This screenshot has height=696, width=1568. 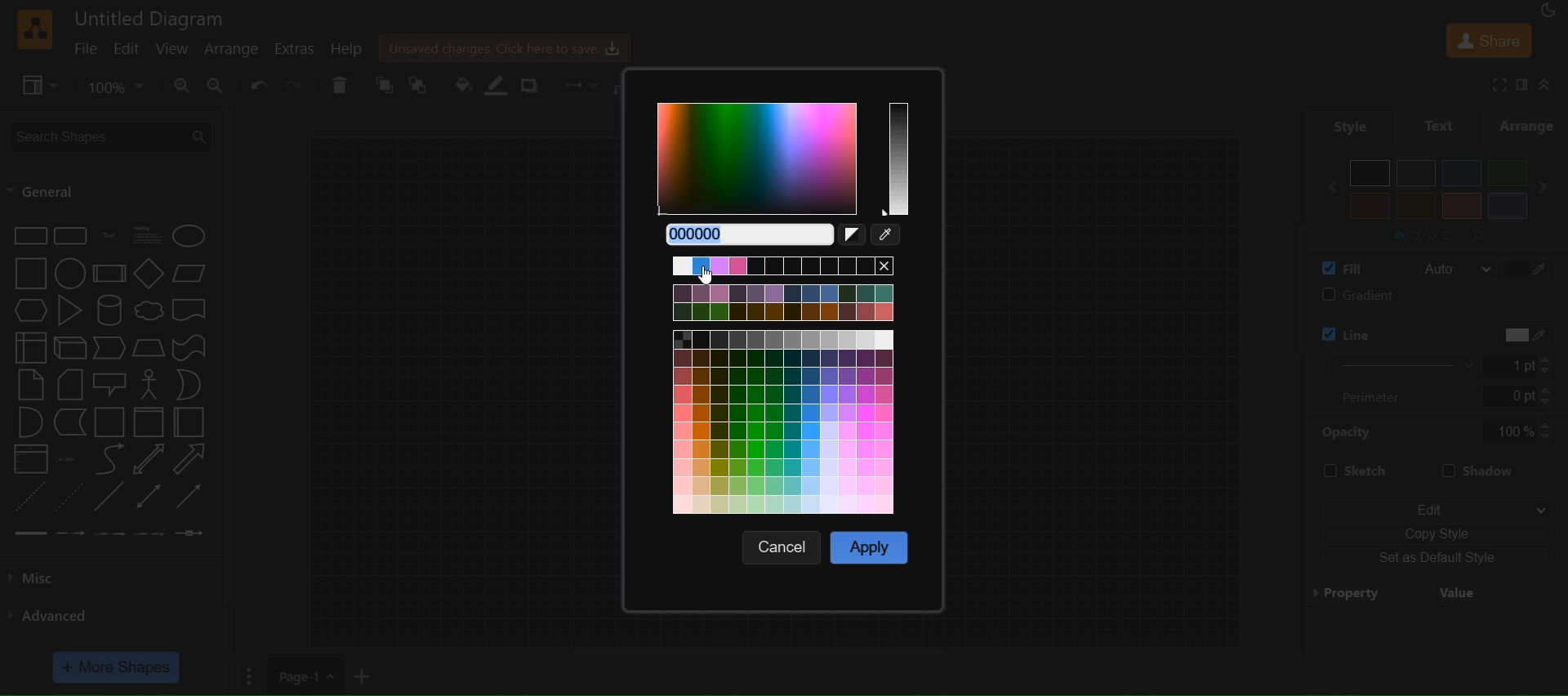 What do you see at coordinates (33, 310) in the screenshot?
I see `hexagon` at bounding box center [33, 310].